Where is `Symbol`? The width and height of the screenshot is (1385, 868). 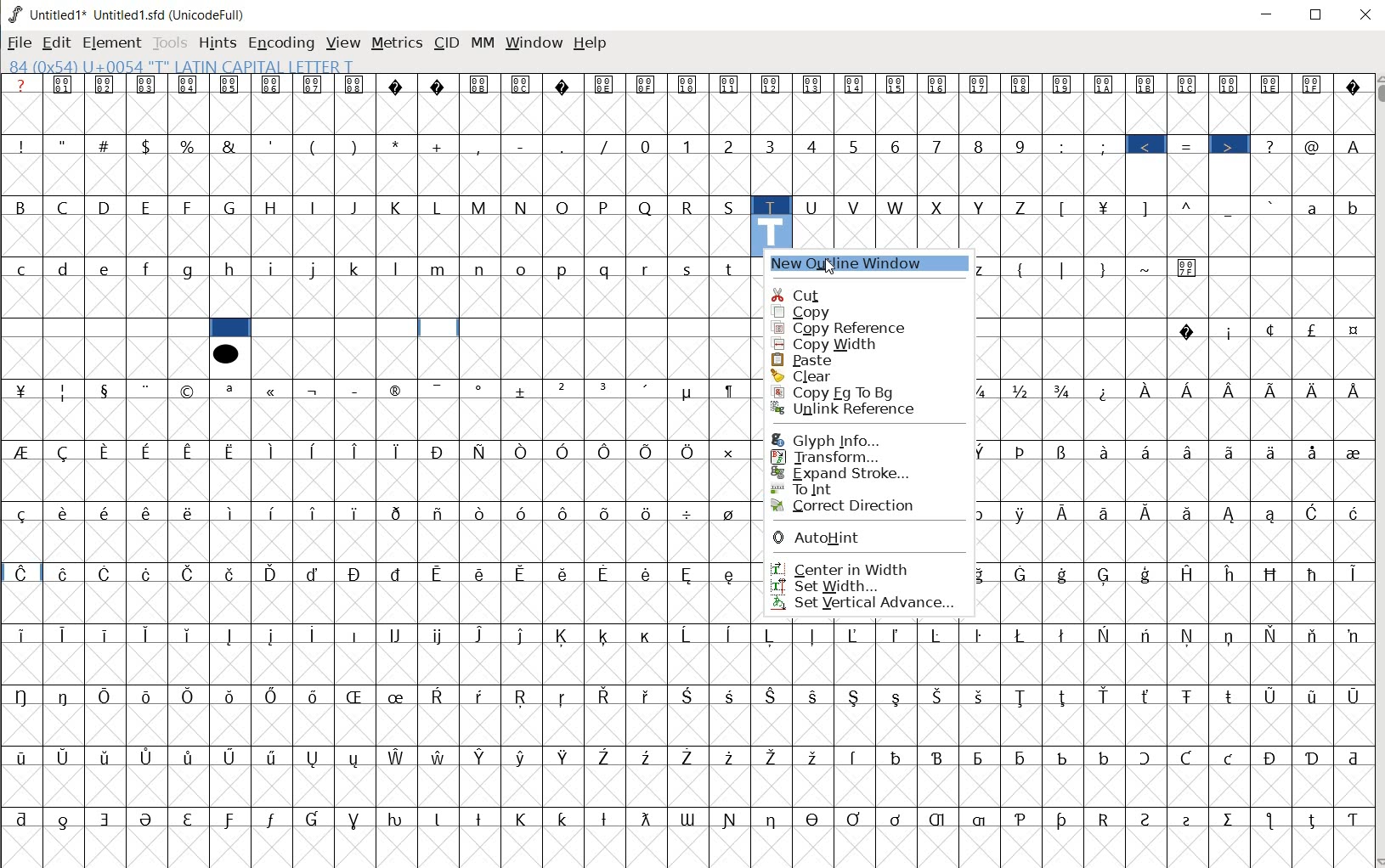
Symbol is located at coordinates (1350, 572).